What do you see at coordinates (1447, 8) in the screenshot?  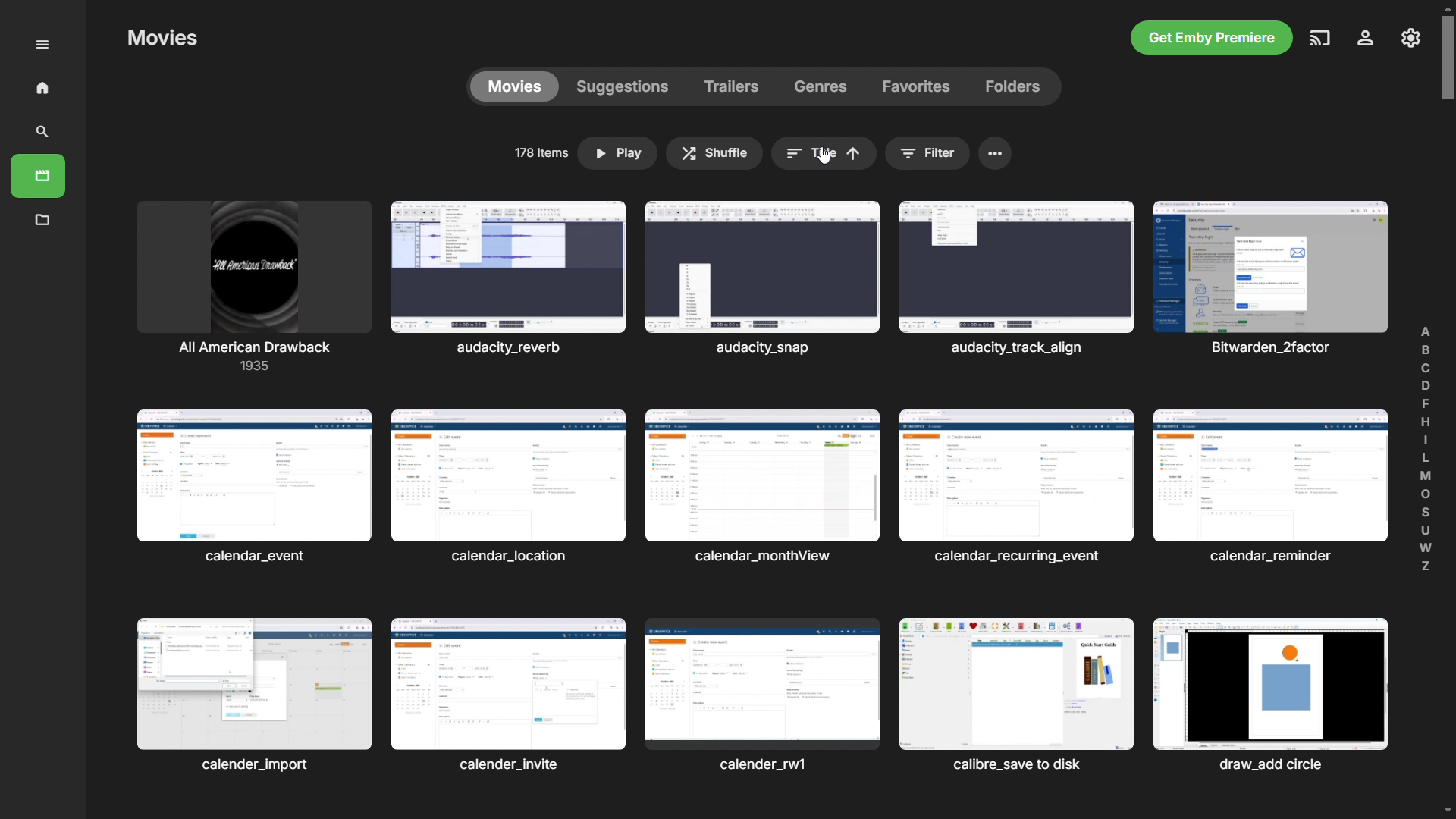 I see `scroll up` at bounding box center [1447, 8].